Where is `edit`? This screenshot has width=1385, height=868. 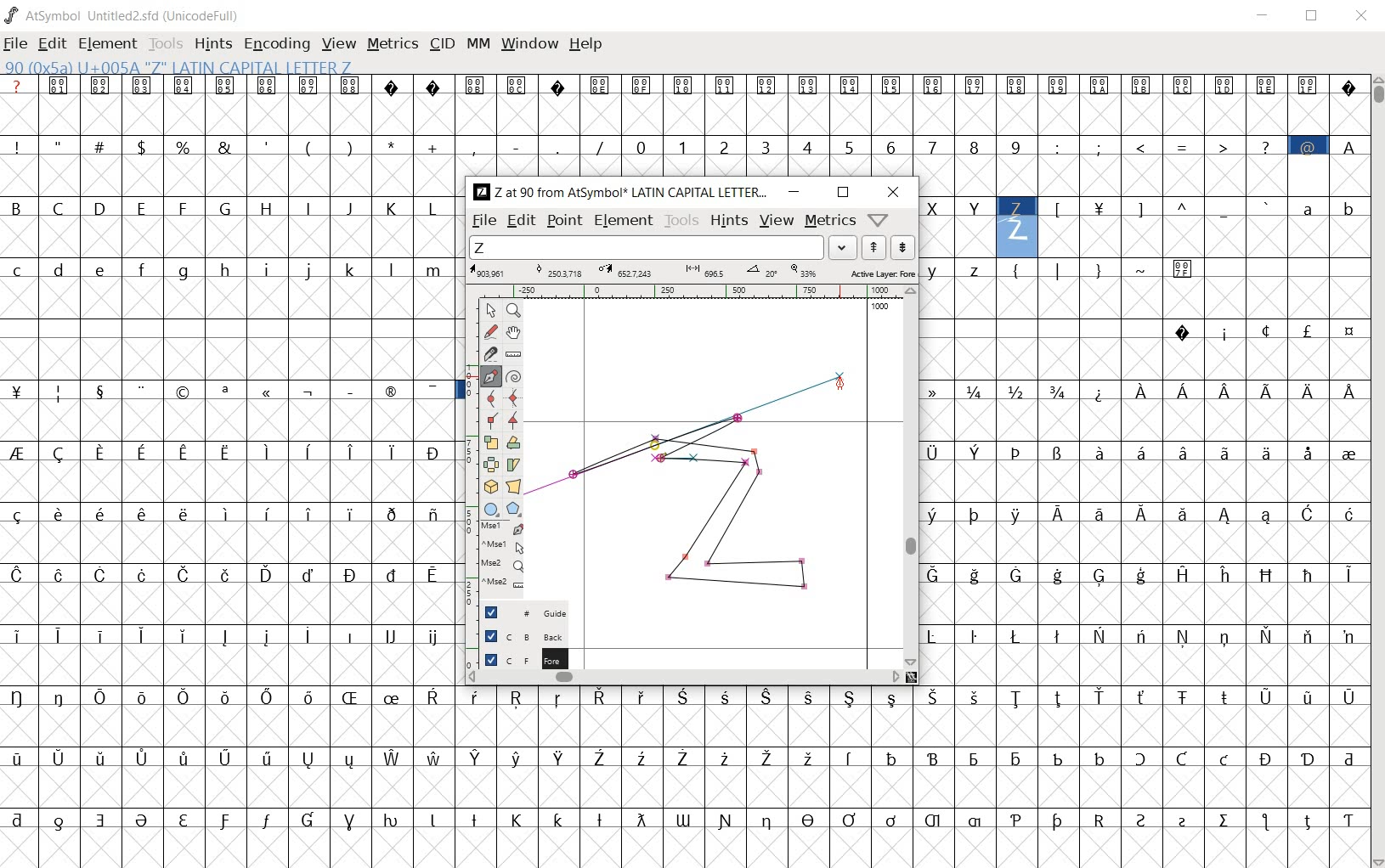
edit is located at coordinates (54, 45).